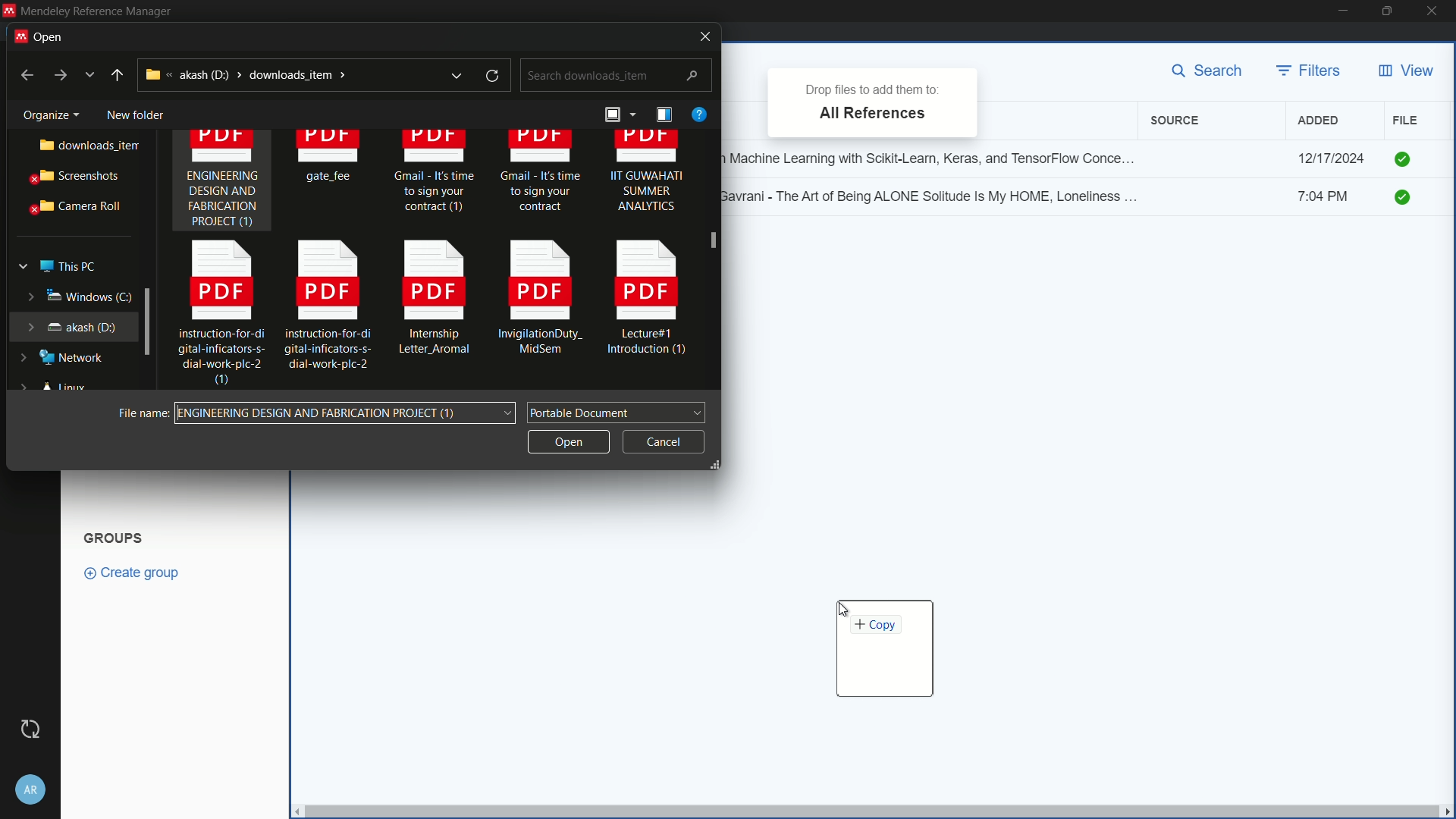 This screenshot has width=1456, height=819. I want to click on this pc, so click(67, 263).